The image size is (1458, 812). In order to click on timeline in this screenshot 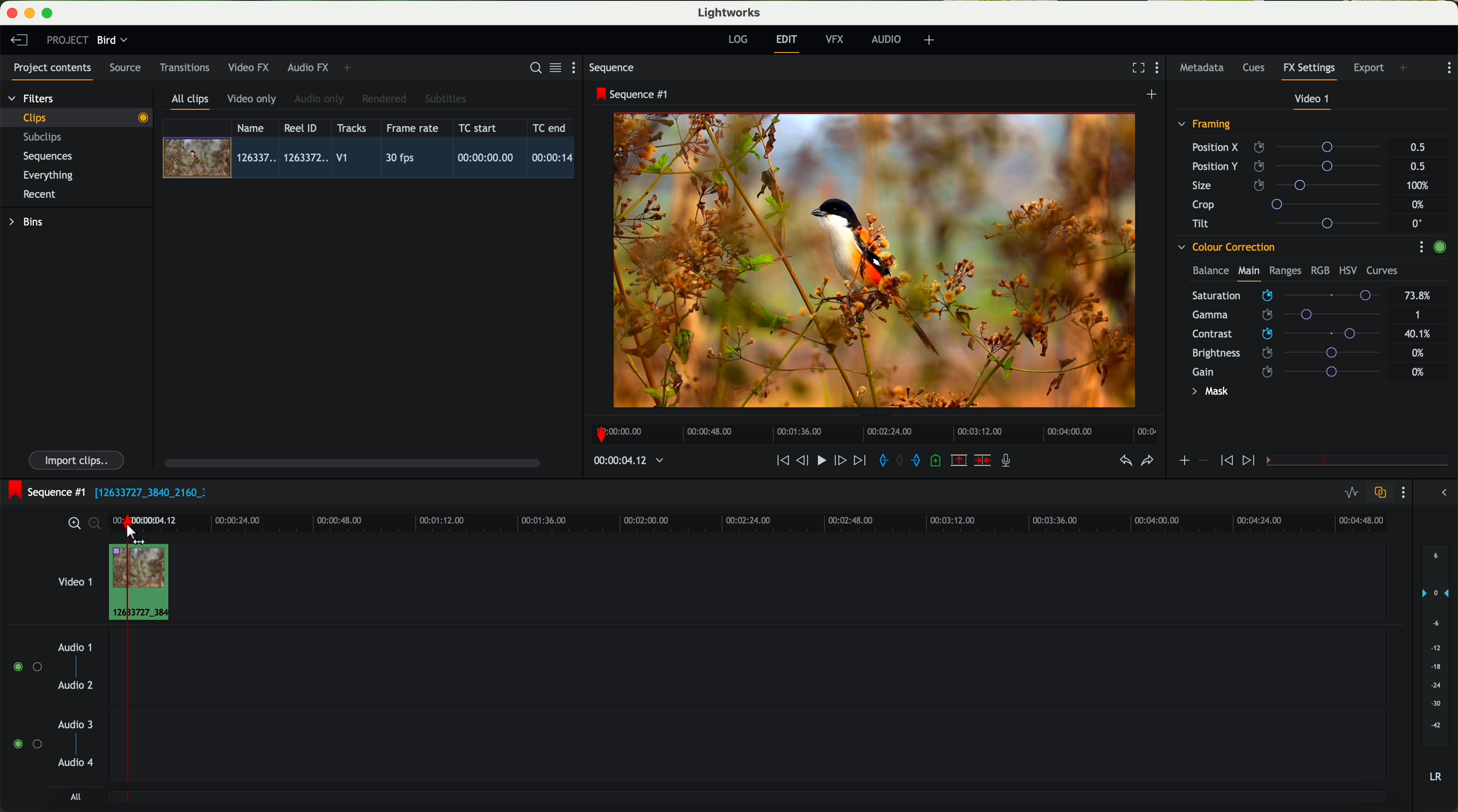, I will do `click(623, 461)`.